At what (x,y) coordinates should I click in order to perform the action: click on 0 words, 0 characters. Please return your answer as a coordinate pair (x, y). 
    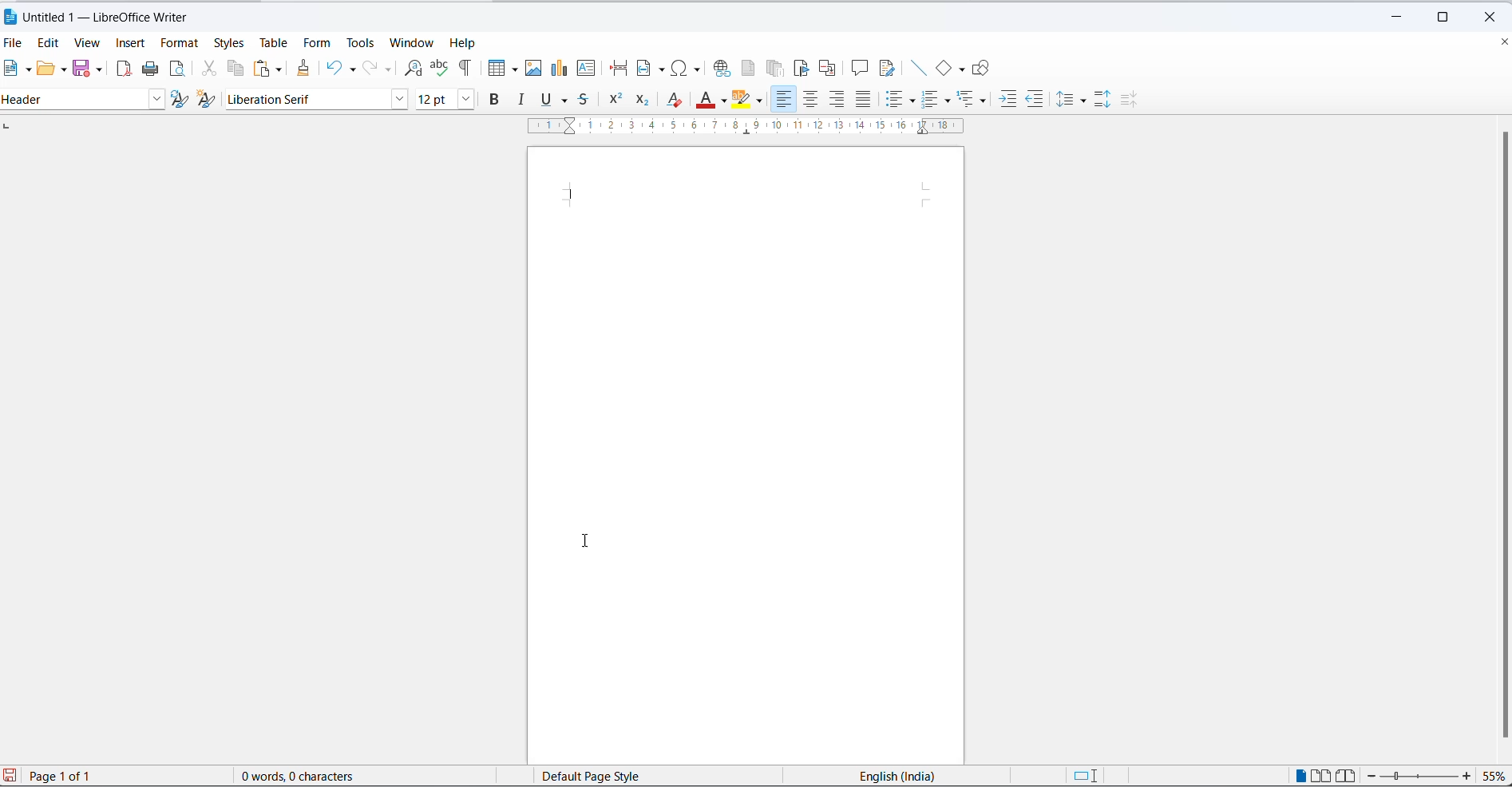
    Looking at the image, I should click on (315, 776).